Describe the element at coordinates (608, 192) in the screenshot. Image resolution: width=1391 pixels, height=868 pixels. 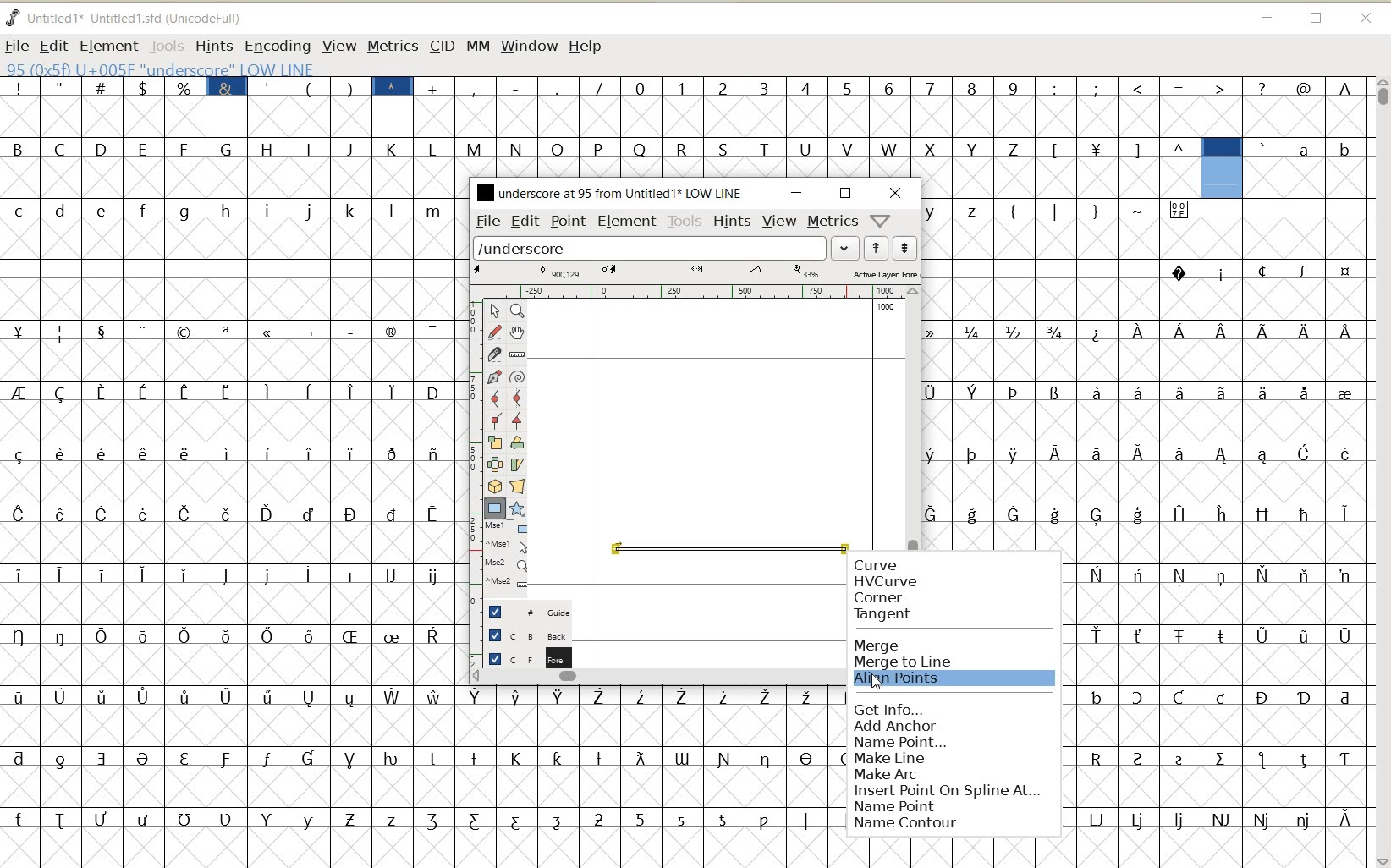
I see `FONT NAME` at that location.